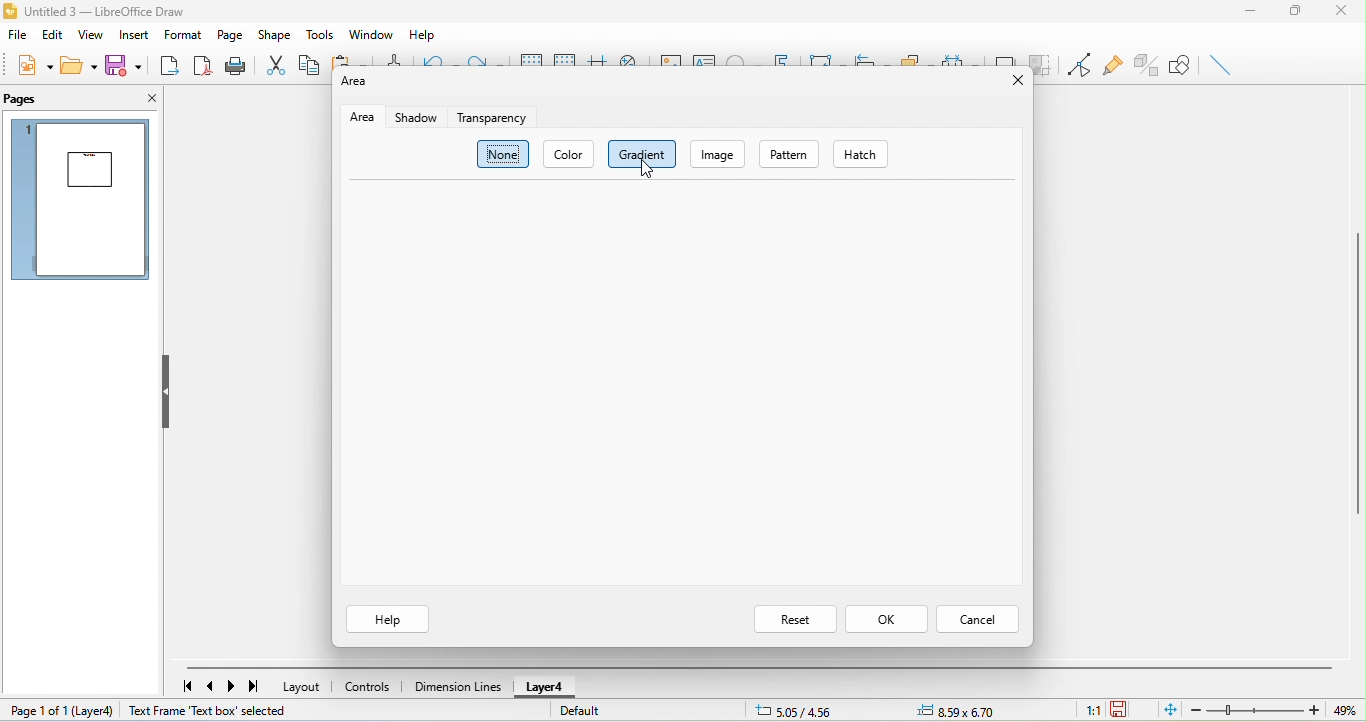  I want to click on print, so click(238, 67).